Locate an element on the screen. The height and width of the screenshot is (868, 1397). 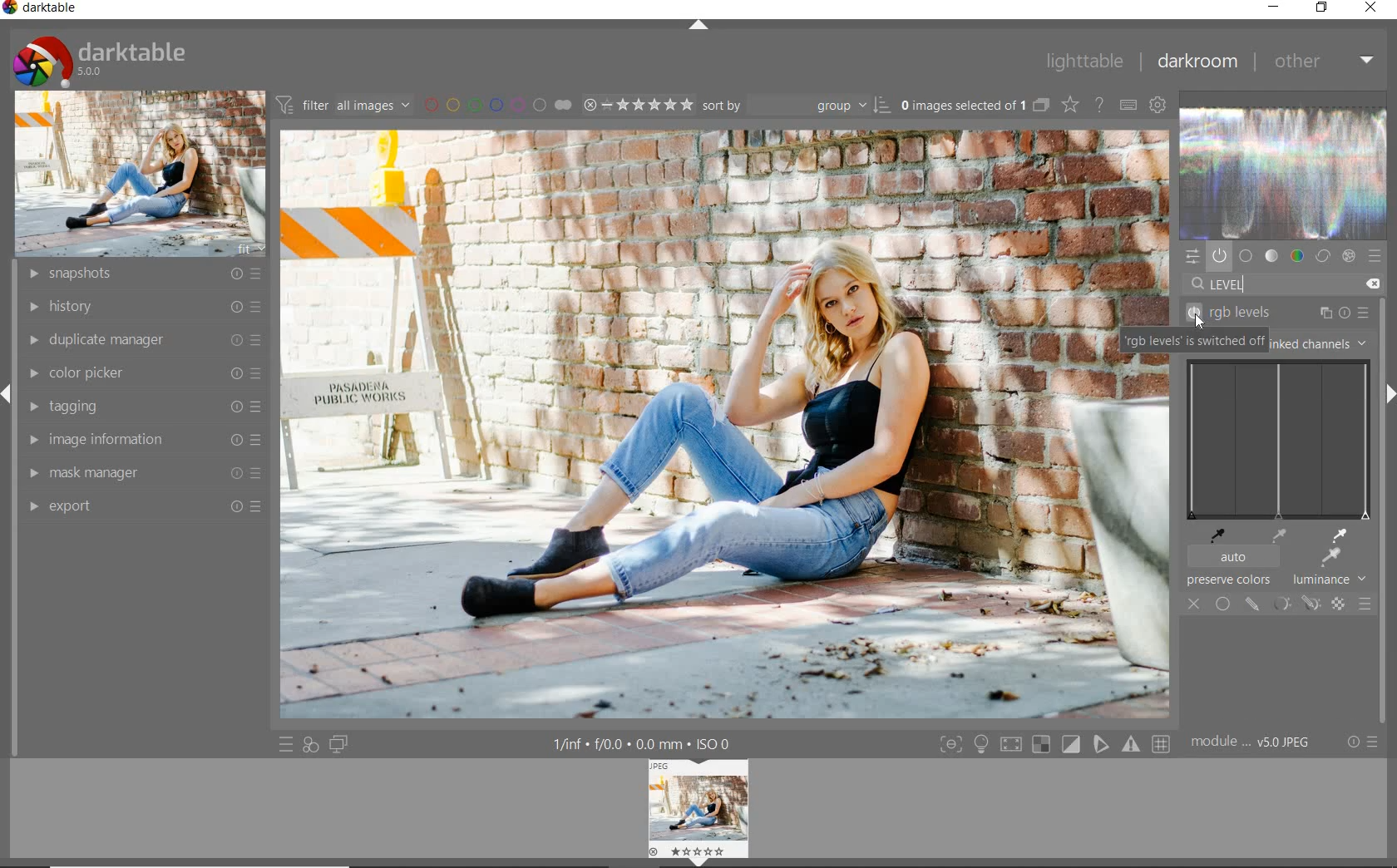
snapshots is located at coordinates (143, 274).